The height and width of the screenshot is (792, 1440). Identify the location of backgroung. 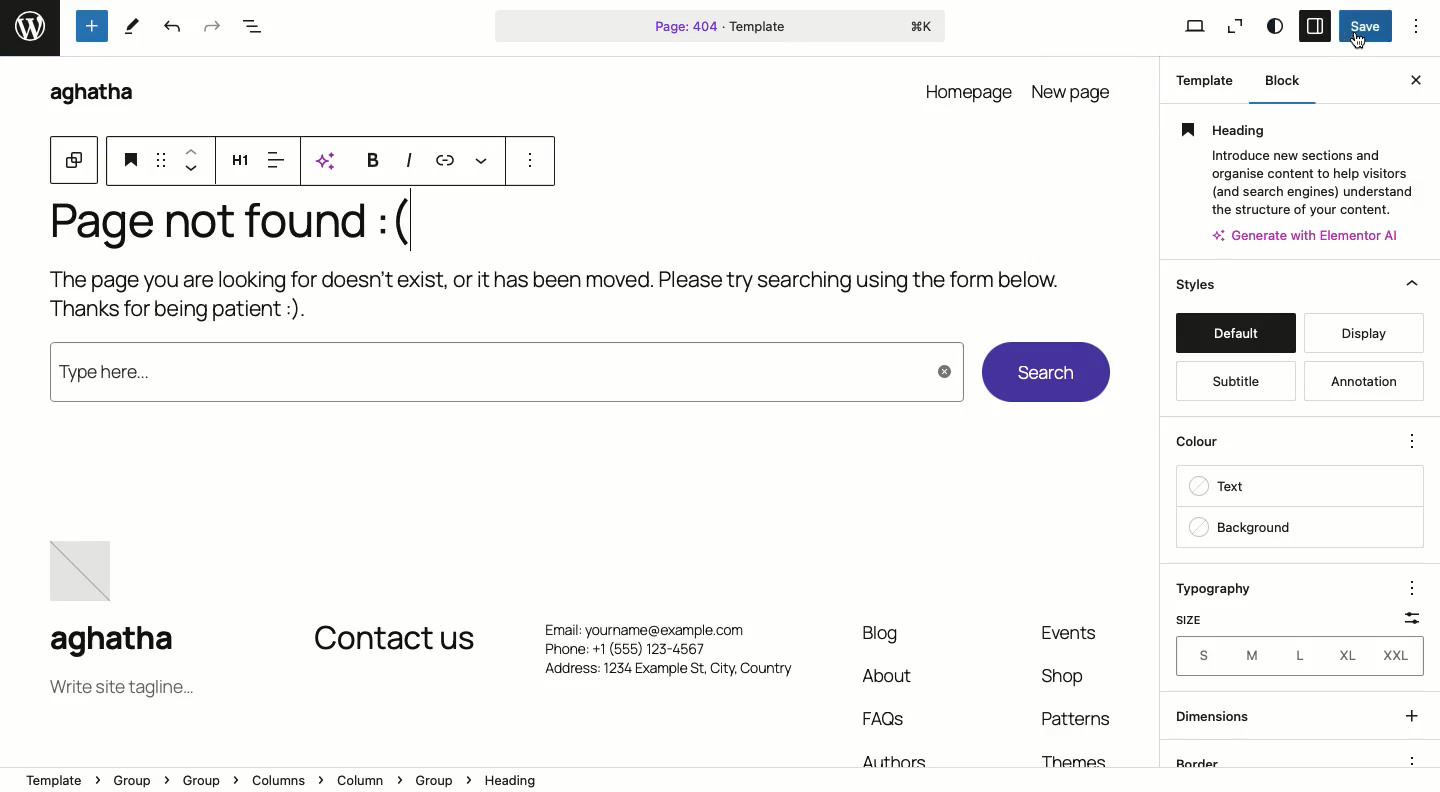
(1244, 531).